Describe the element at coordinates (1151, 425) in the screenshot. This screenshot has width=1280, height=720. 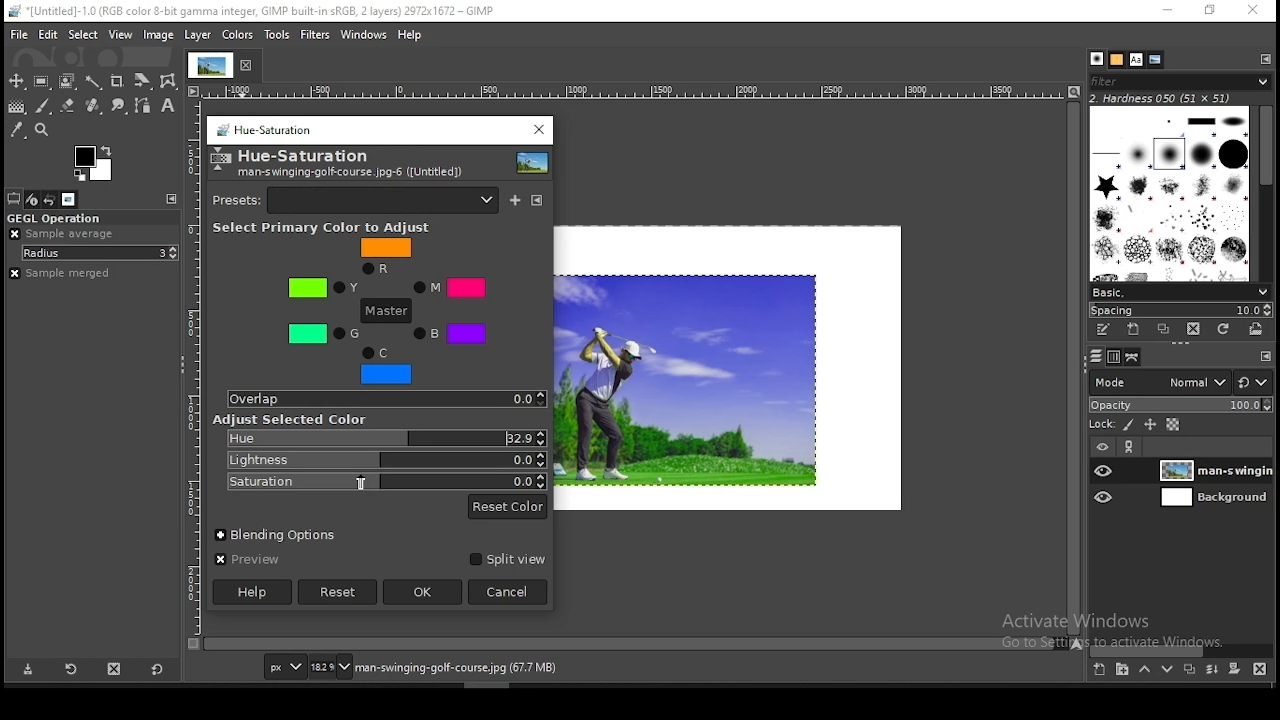
I see `lock size and position` at that location.